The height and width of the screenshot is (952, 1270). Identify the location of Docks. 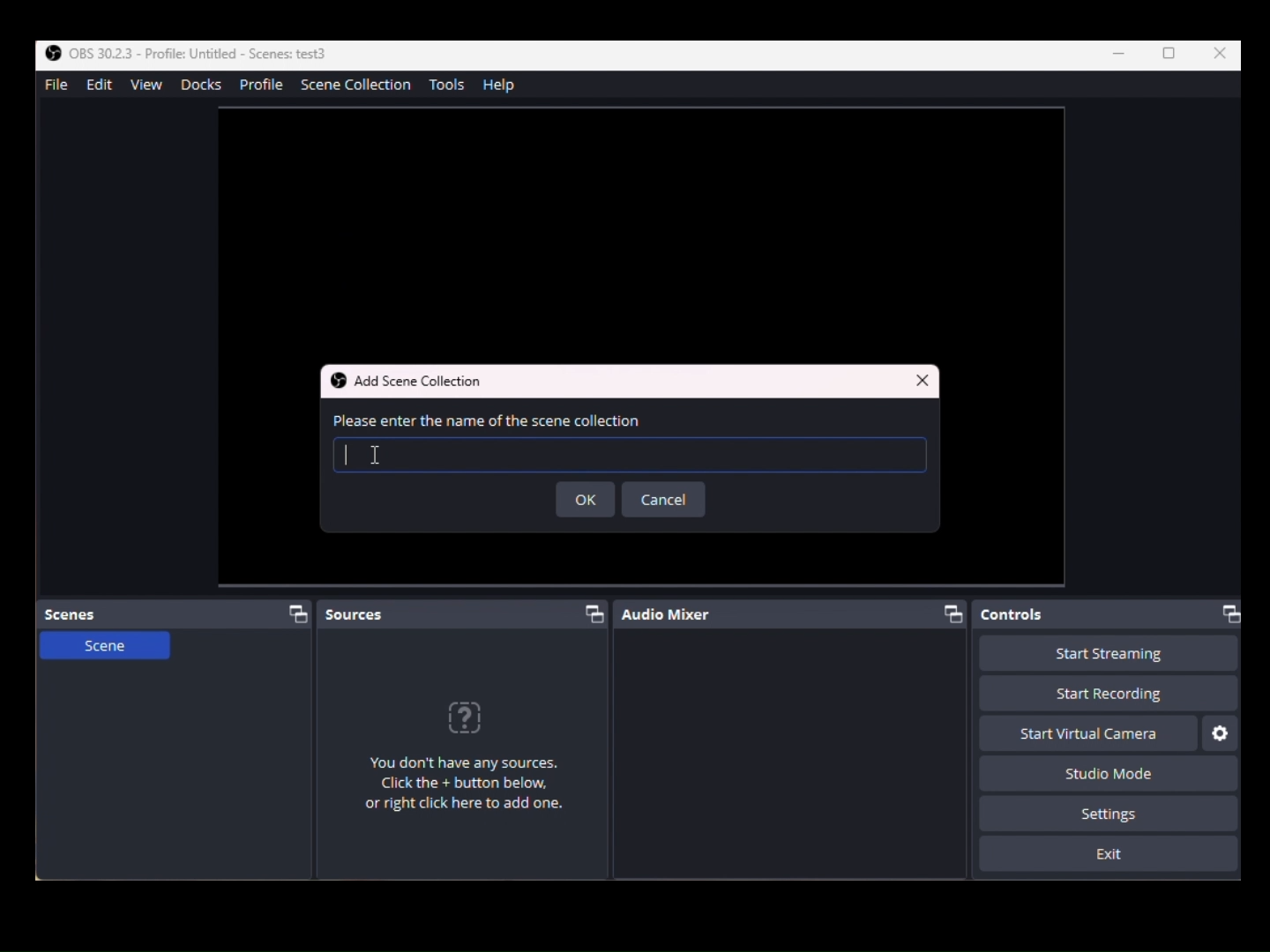
(199, 85).